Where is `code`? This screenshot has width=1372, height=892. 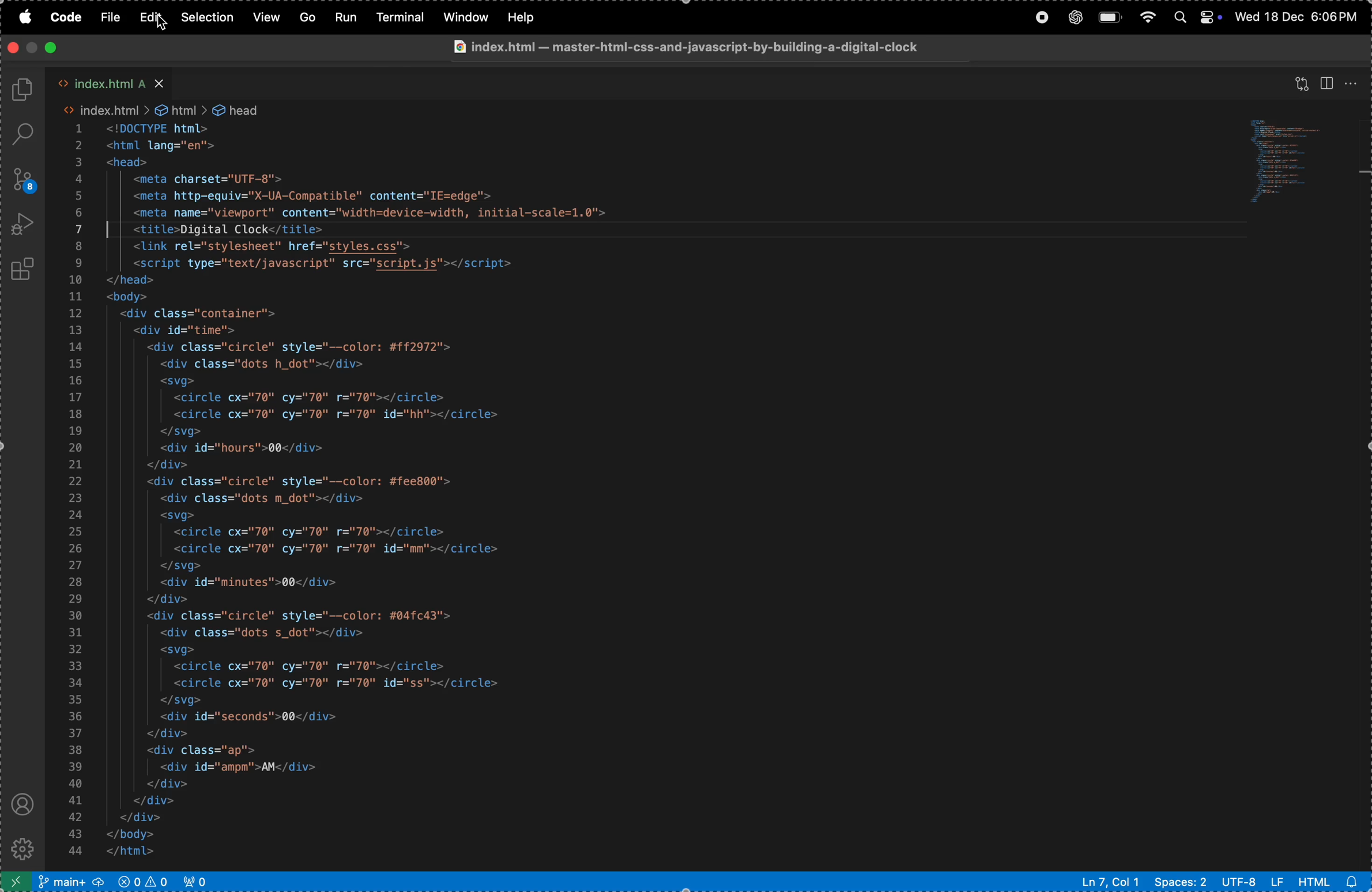 code is located at coordinates (66, 18).